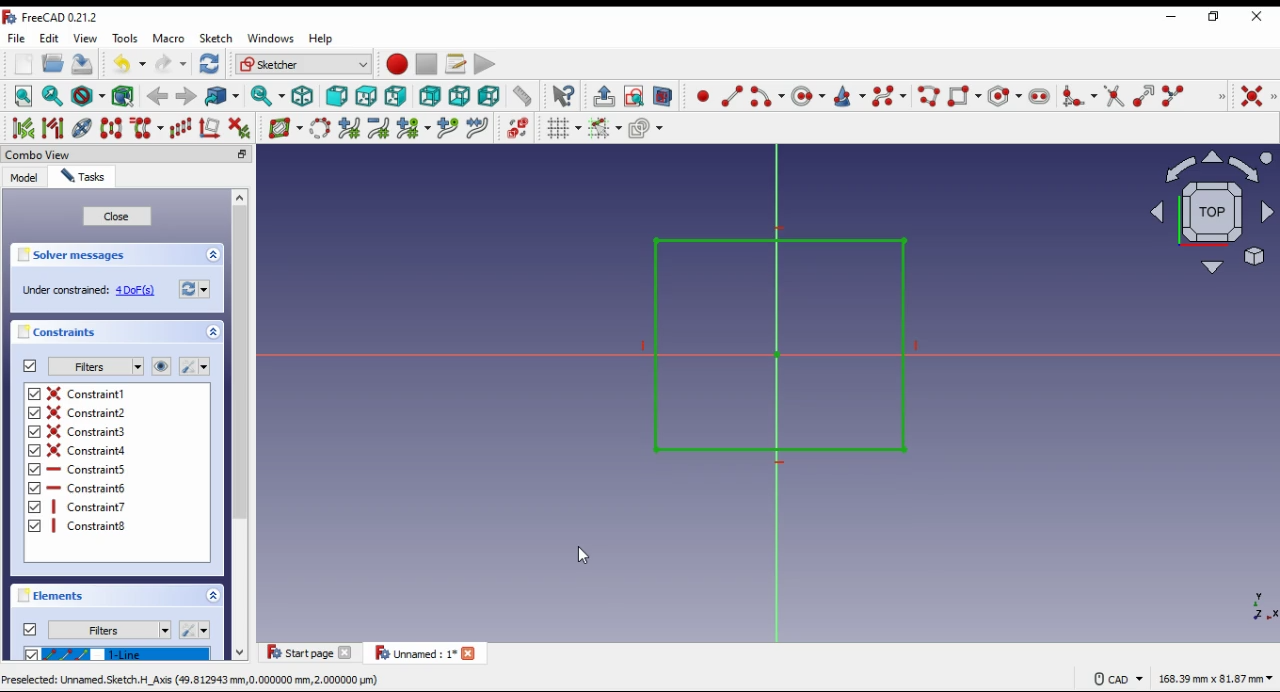 This screenshot has width=1280, height=692. Describe the element at coordinates (889, 95) in the screenshot. I see `create bspline` at that location.